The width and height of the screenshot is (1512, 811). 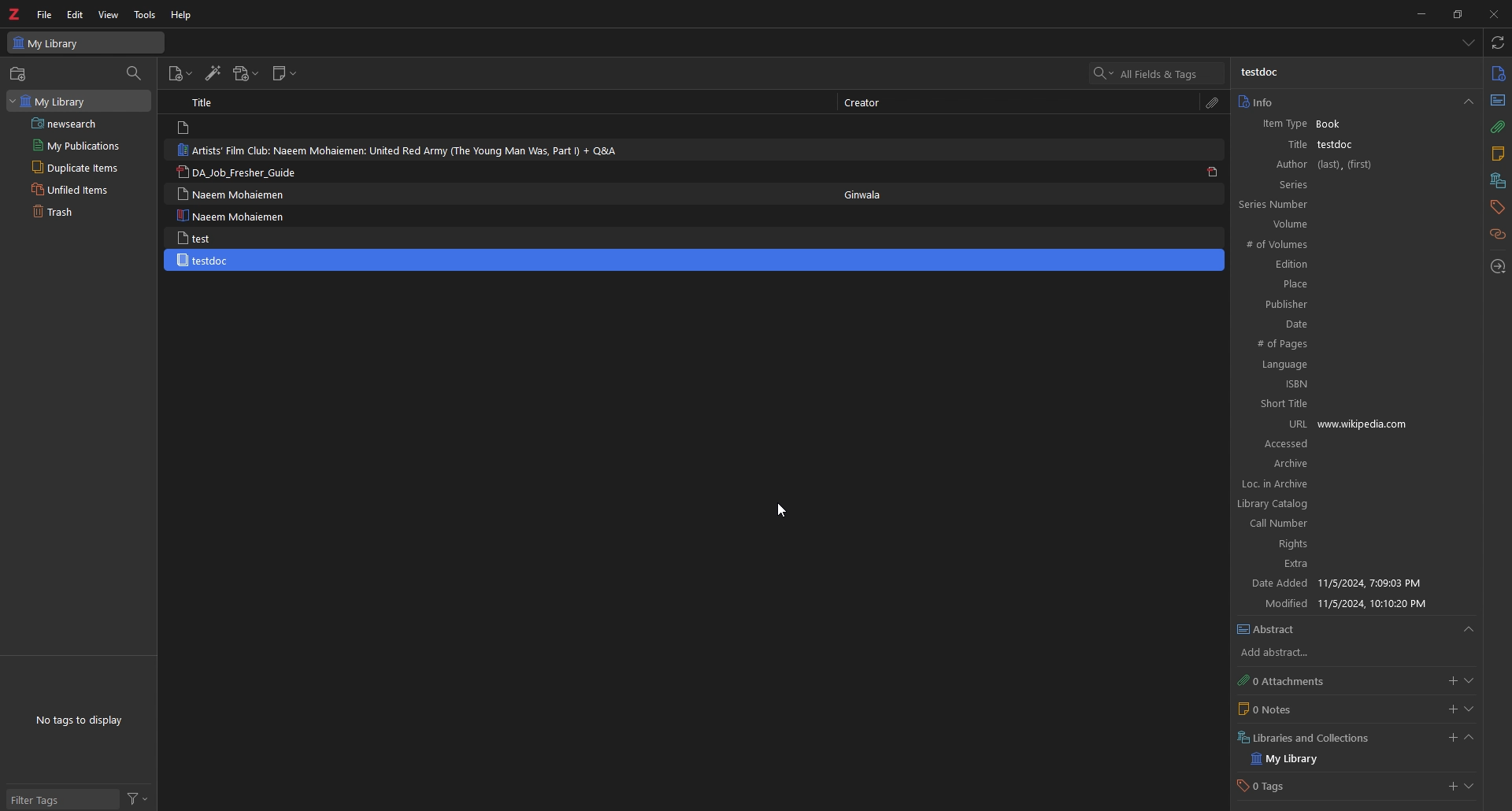 I want to click on resize, so click(x=1457, y=14).